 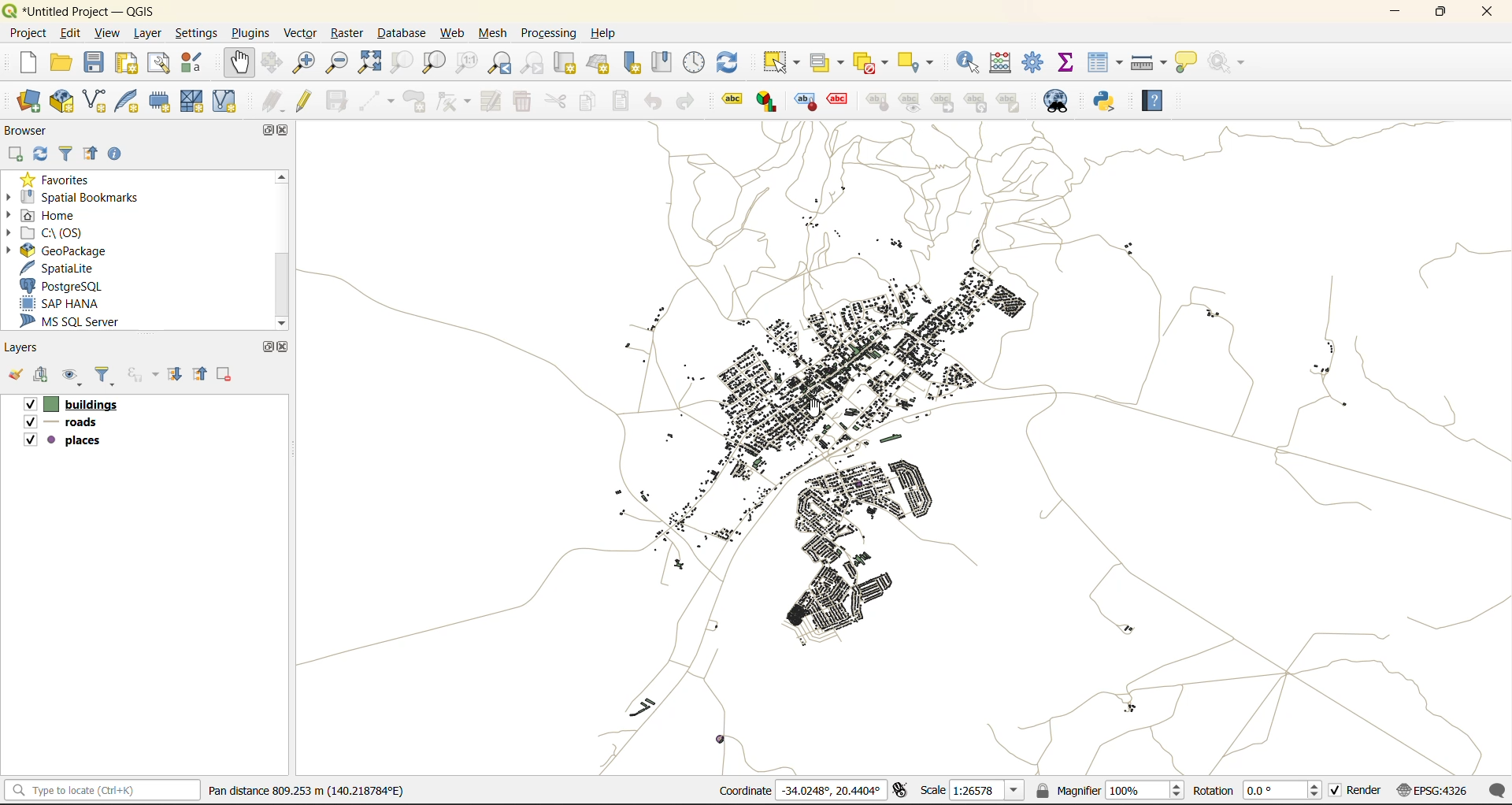 What do you see at coordinates (13, 154) in the screenshot?
I see `add` at bounding box center [13, 154].